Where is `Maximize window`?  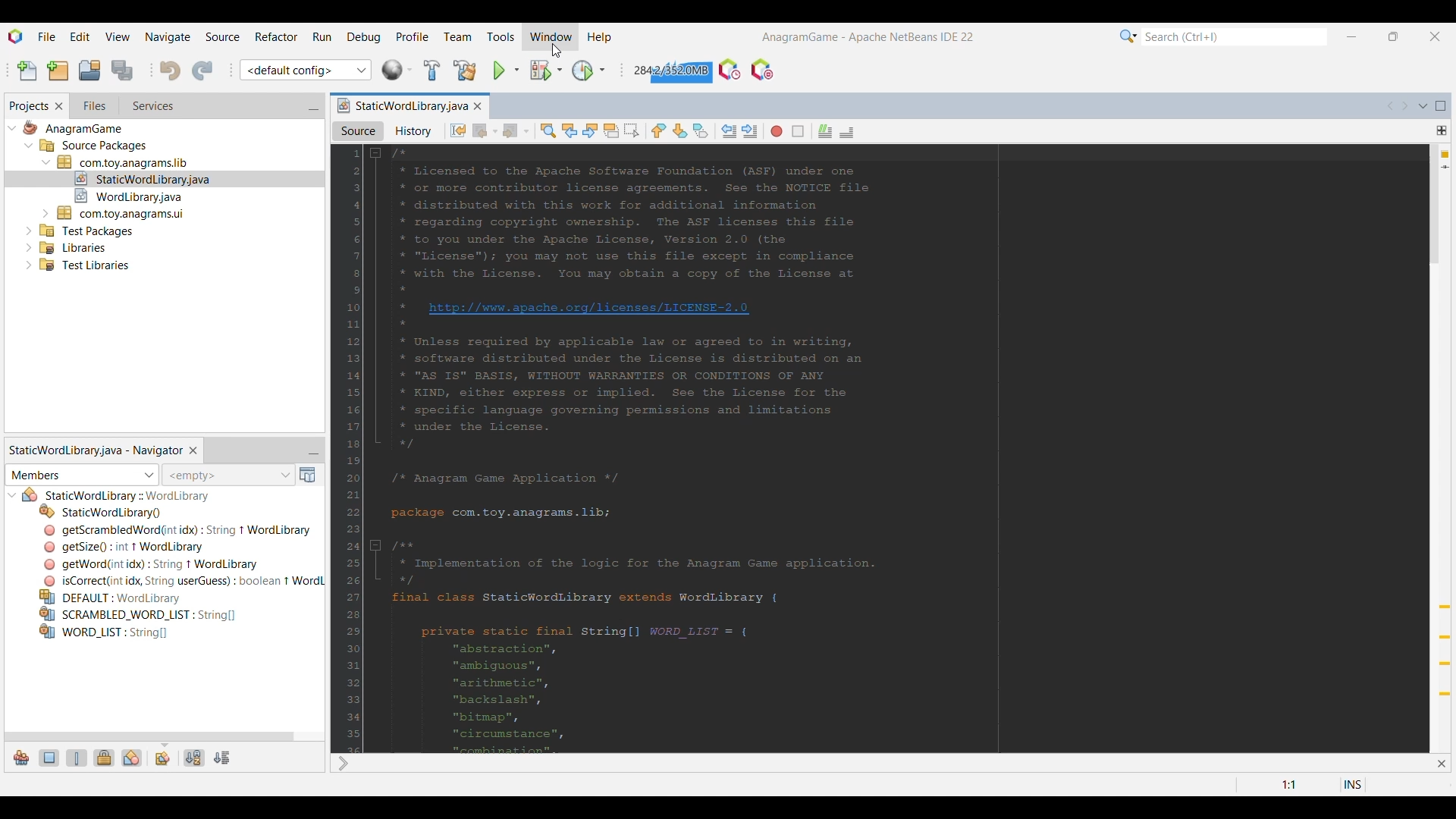 Maximize window is located at coordinates (1441, 106).